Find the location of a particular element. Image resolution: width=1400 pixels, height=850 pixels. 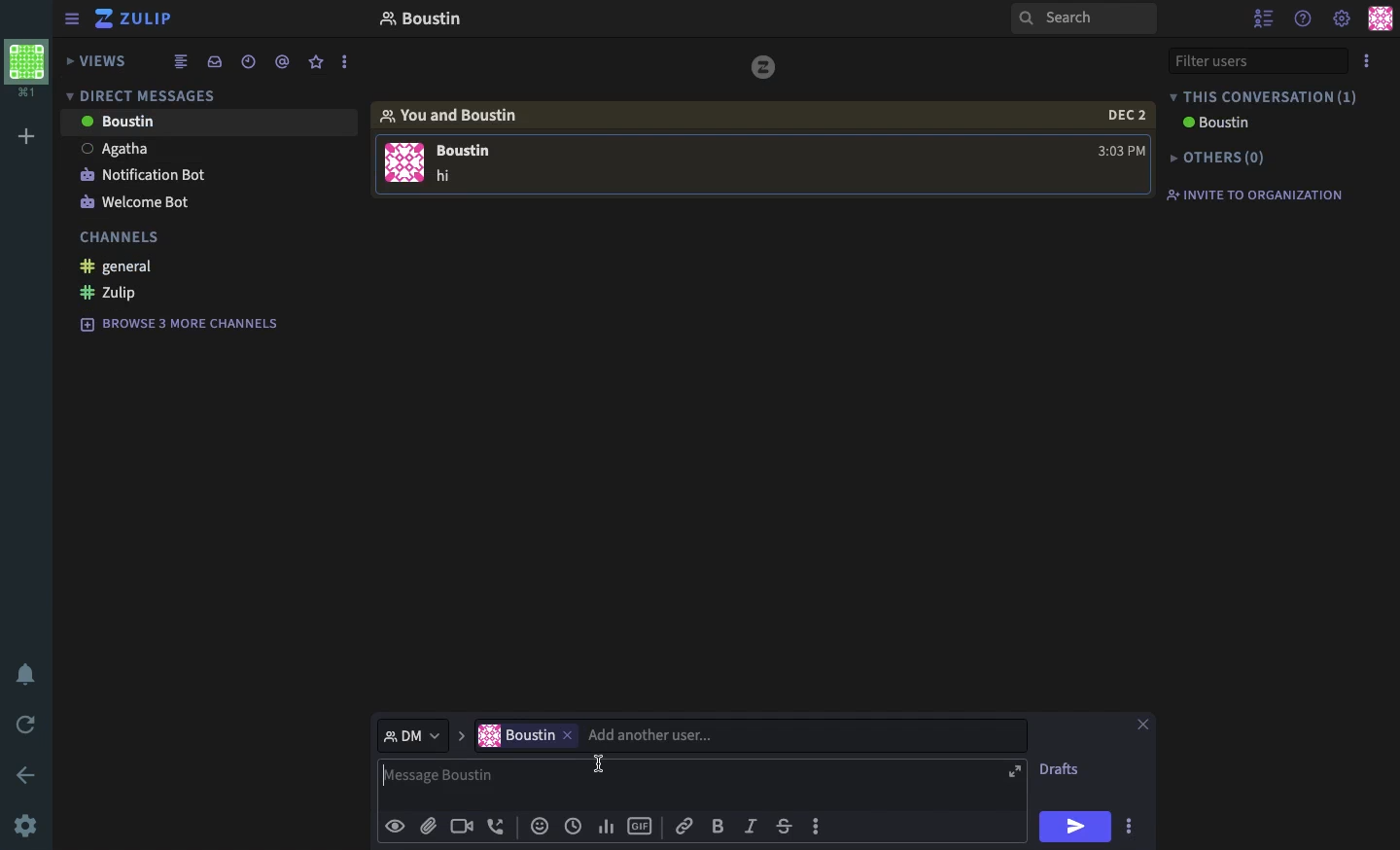

favorite is located at coordinates (316, 61).